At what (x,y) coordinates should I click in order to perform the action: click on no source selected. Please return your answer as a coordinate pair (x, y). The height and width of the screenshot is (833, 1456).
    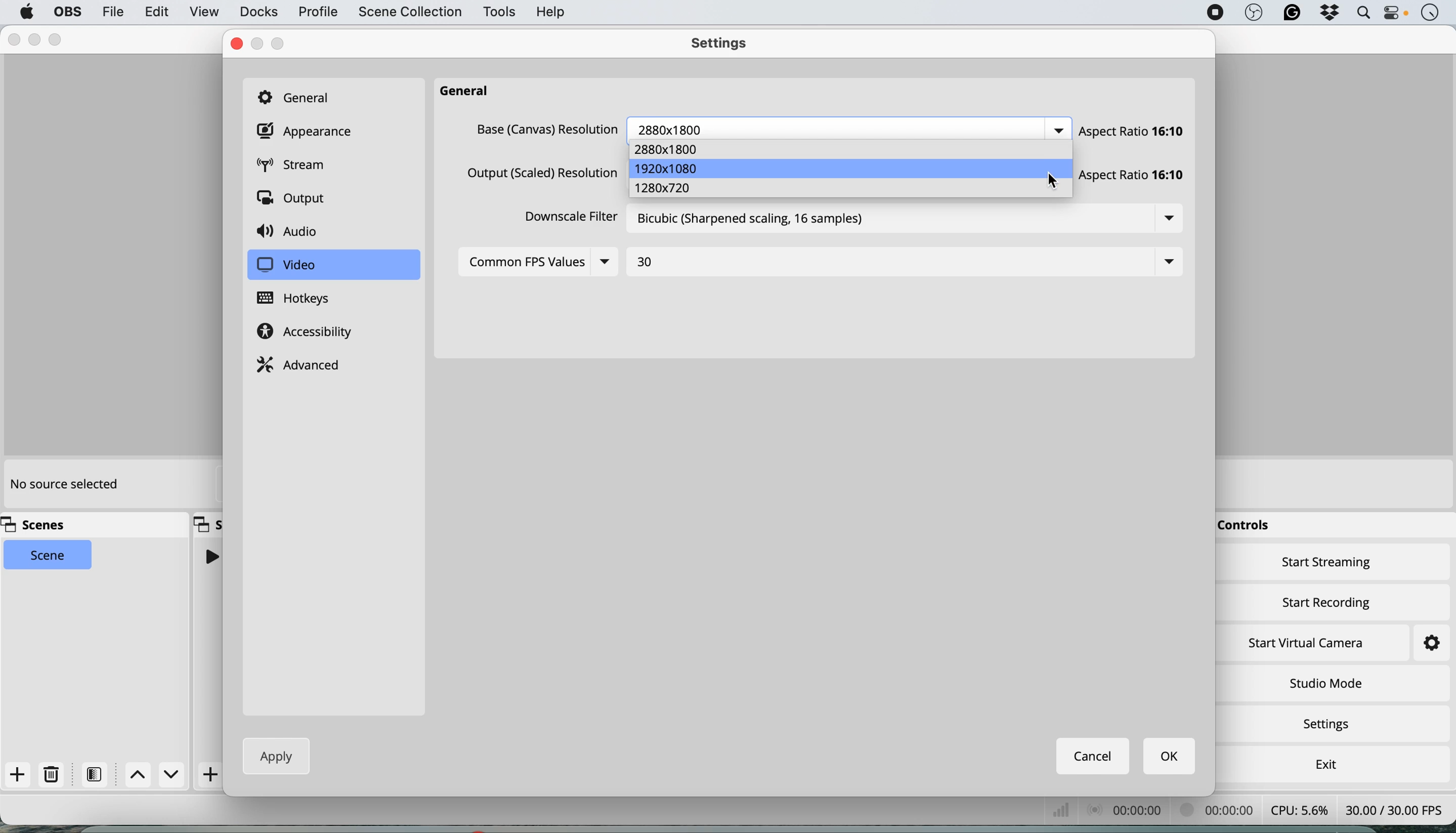
    Looking at the image, I should click on (63, 485).